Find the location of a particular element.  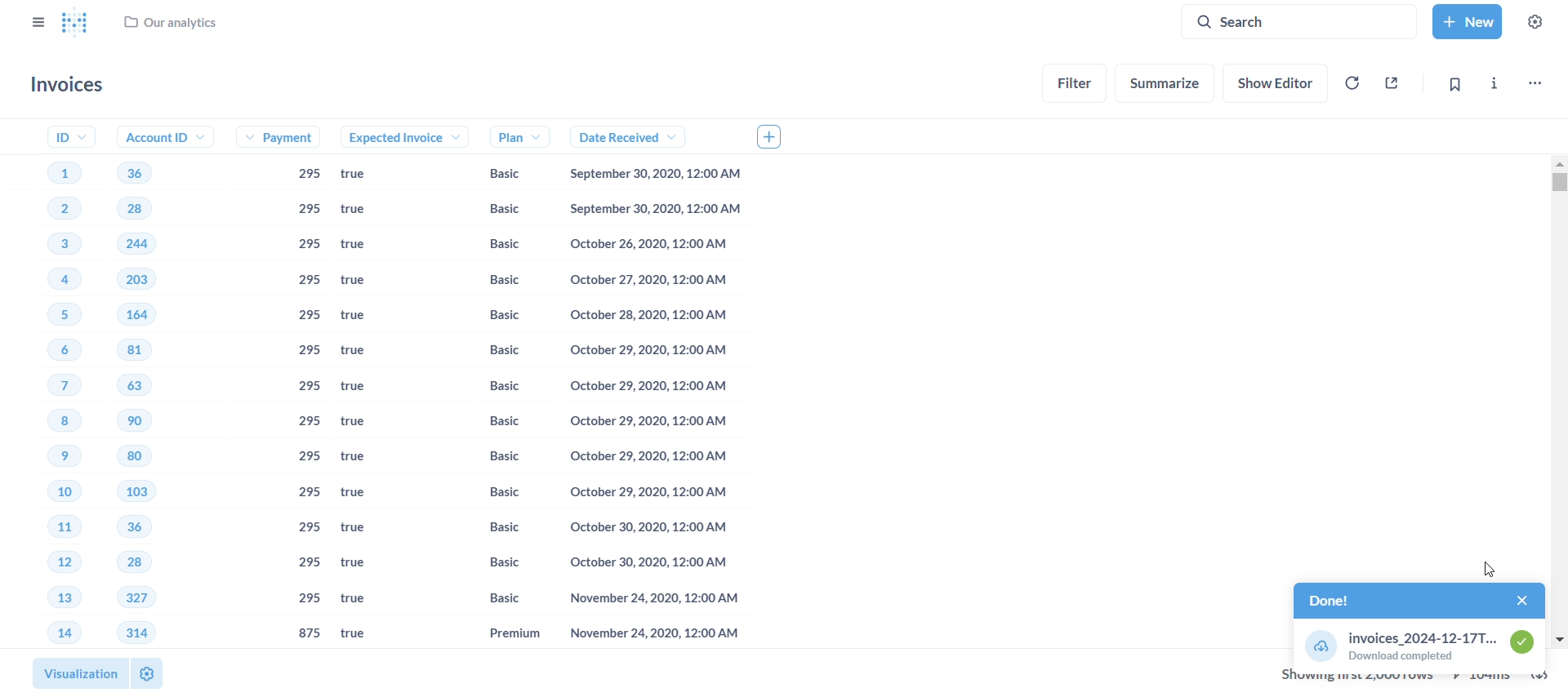

295 is located at coordinates (310, 491).